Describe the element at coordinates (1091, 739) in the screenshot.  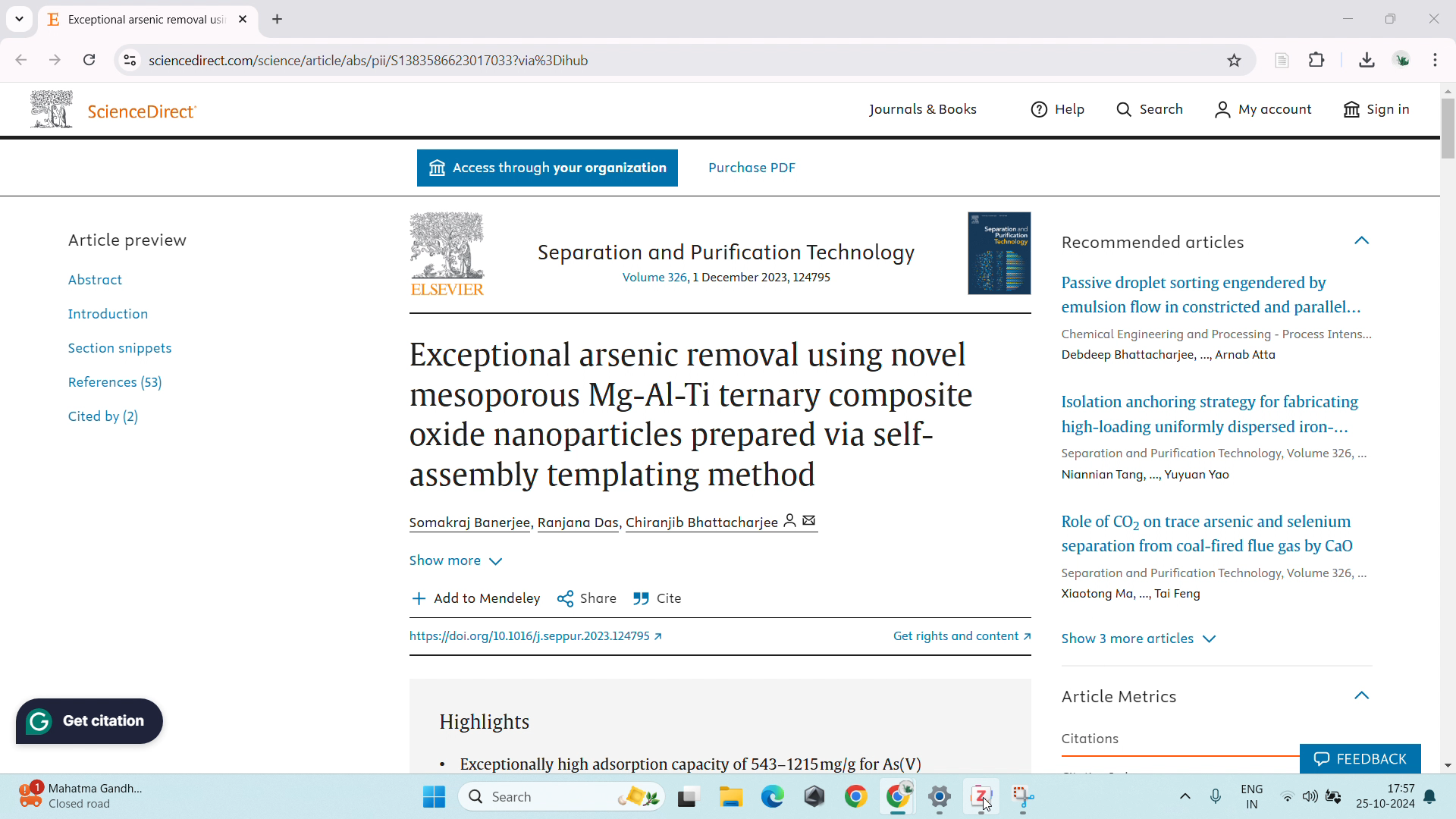
I see `Citations` at that location.